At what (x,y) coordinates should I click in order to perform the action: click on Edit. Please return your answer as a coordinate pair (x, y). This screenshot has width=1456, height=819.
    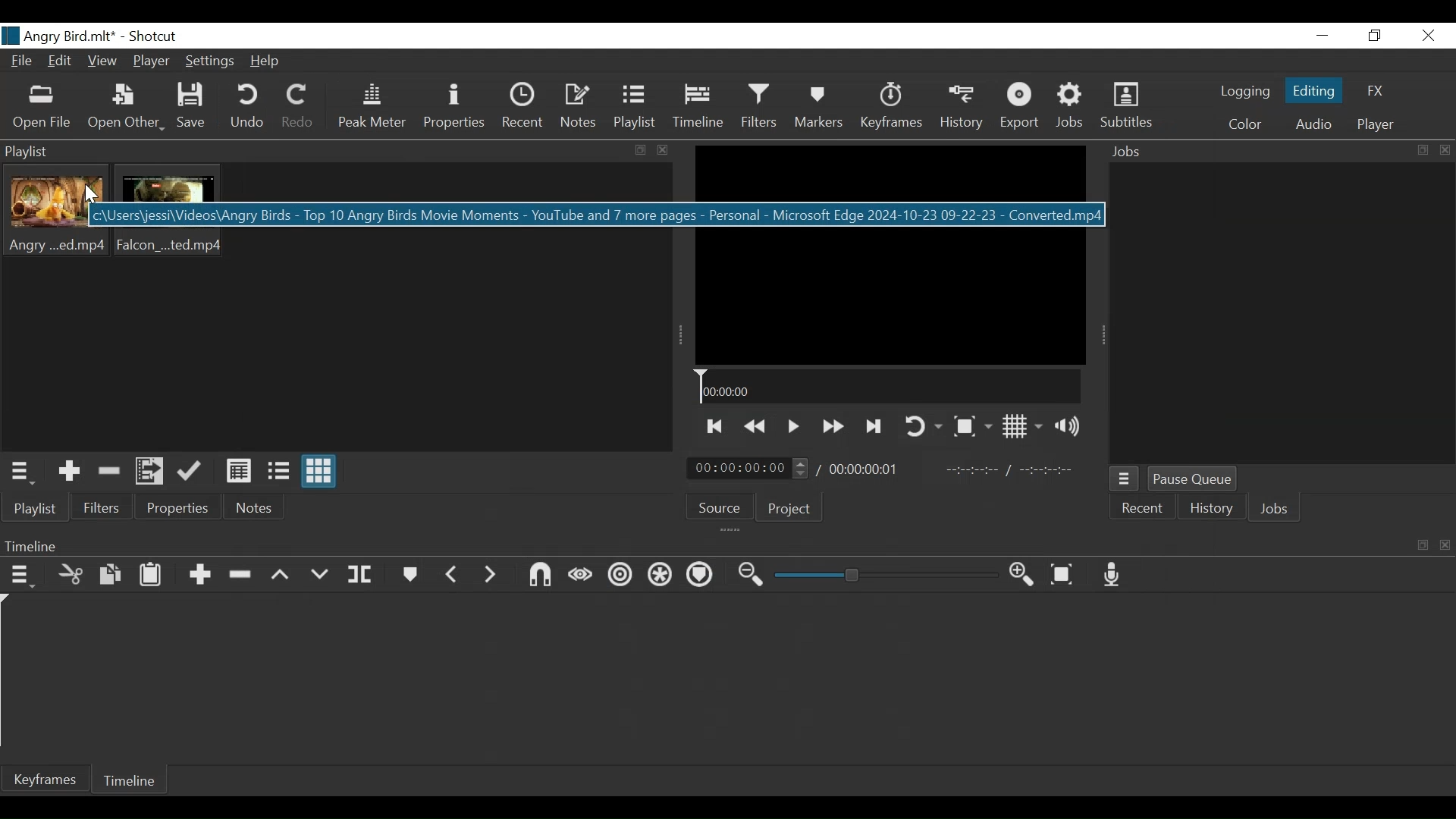
    Looking at the image, I should click on (62, 61).